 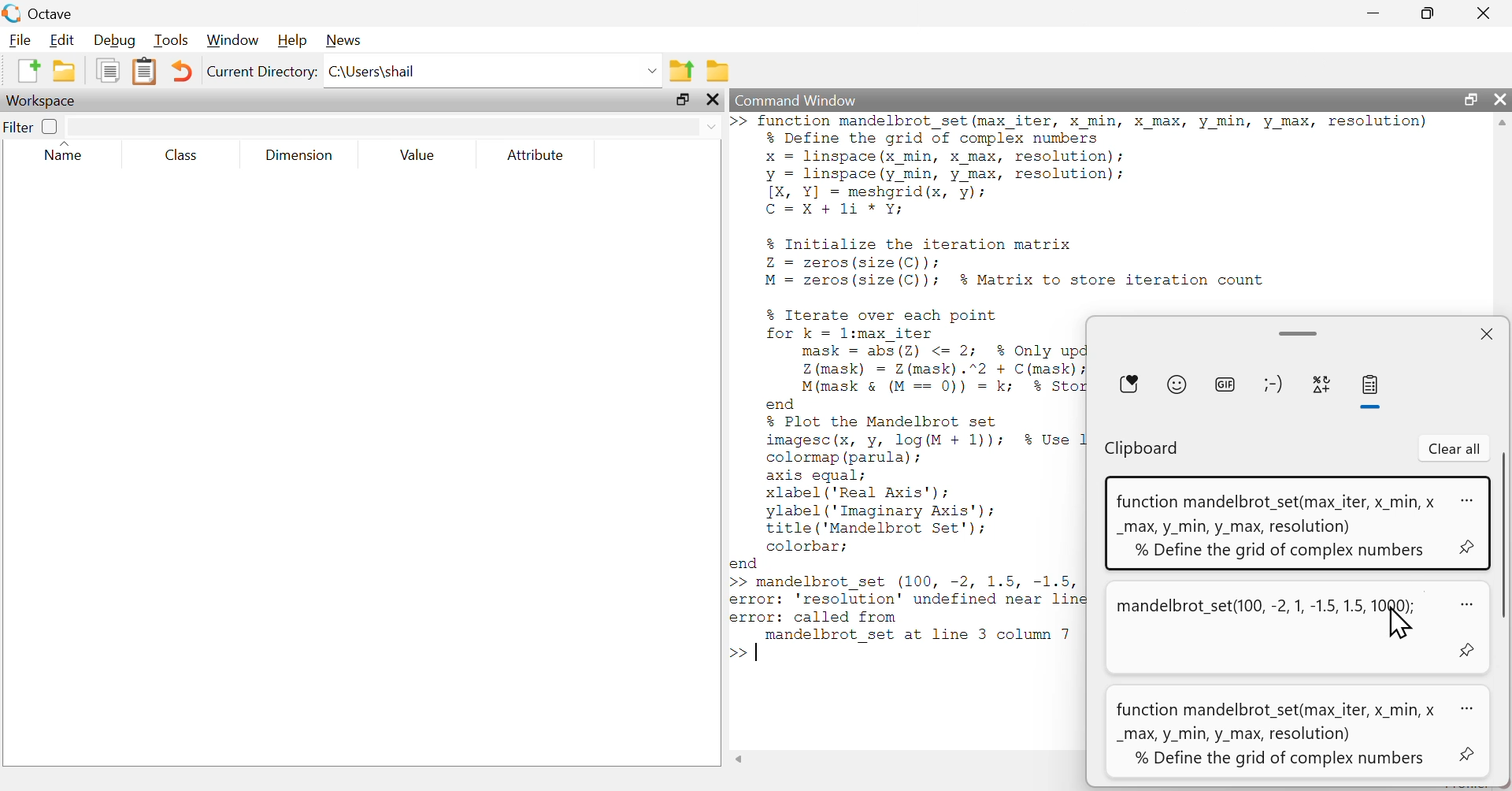 What do you see at coordinates (1429, 13) in the screenshot?
I see `maximize` at bounding box center [1429, 13].